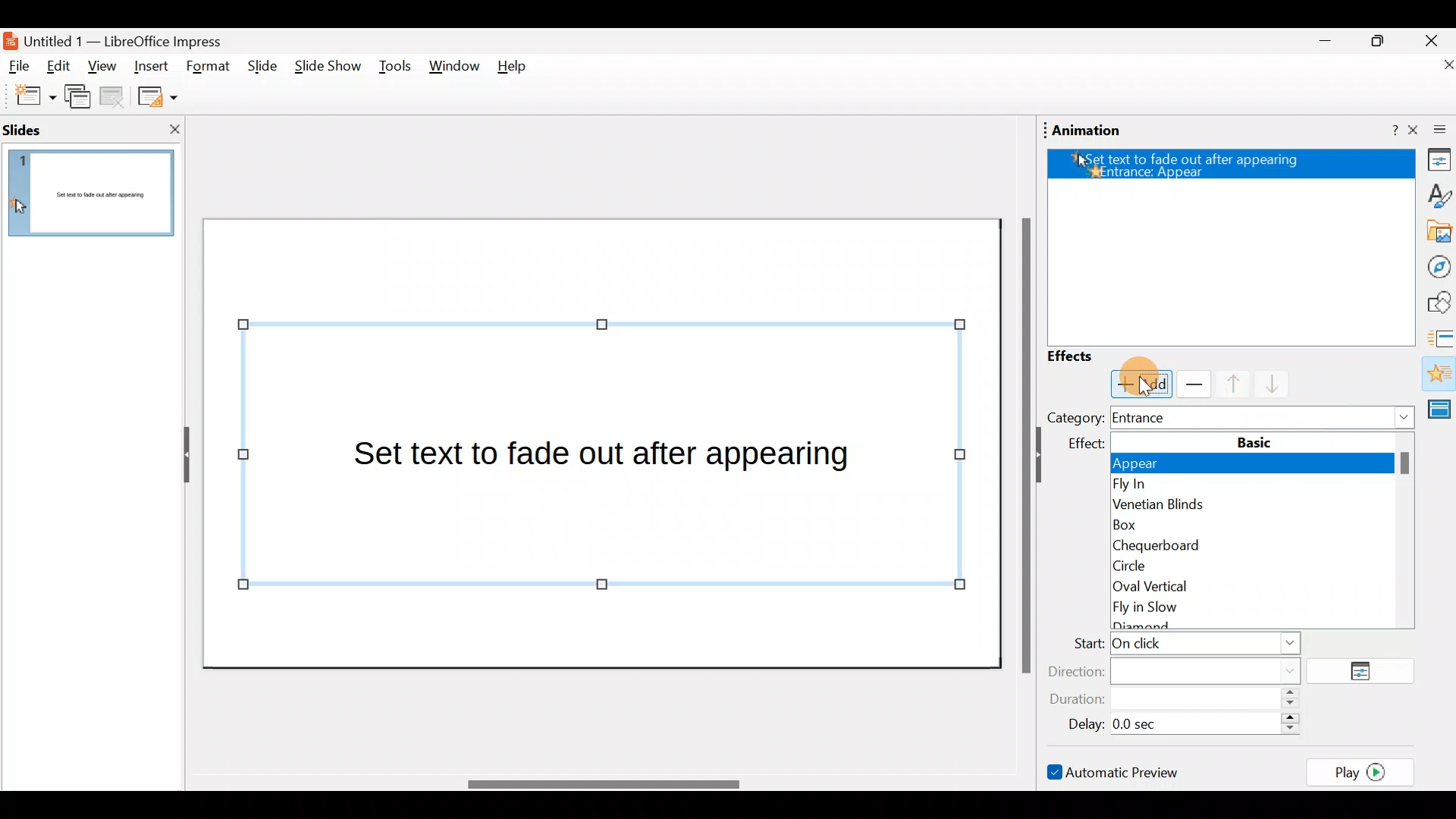 This screenshot has height=819, width=1456. What do you see at coordinates (1087, 130) in the screenshot?
I see `Animation` at bounding box center [1087, 130].